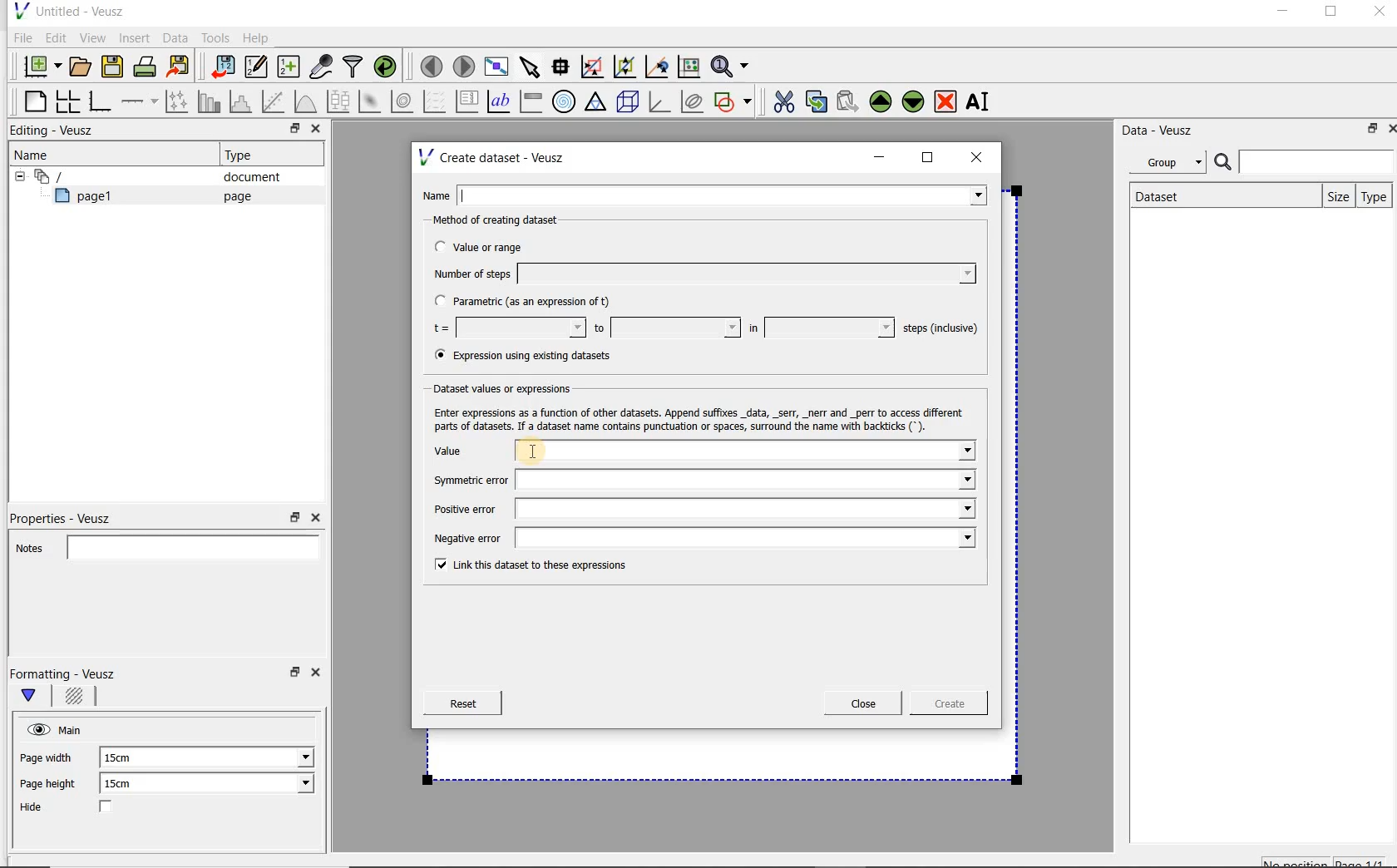 This screenshot has width=1397, height=868. Describe the element at coordinates (506, 328) in the screenshot. I see `t= ` at that location.